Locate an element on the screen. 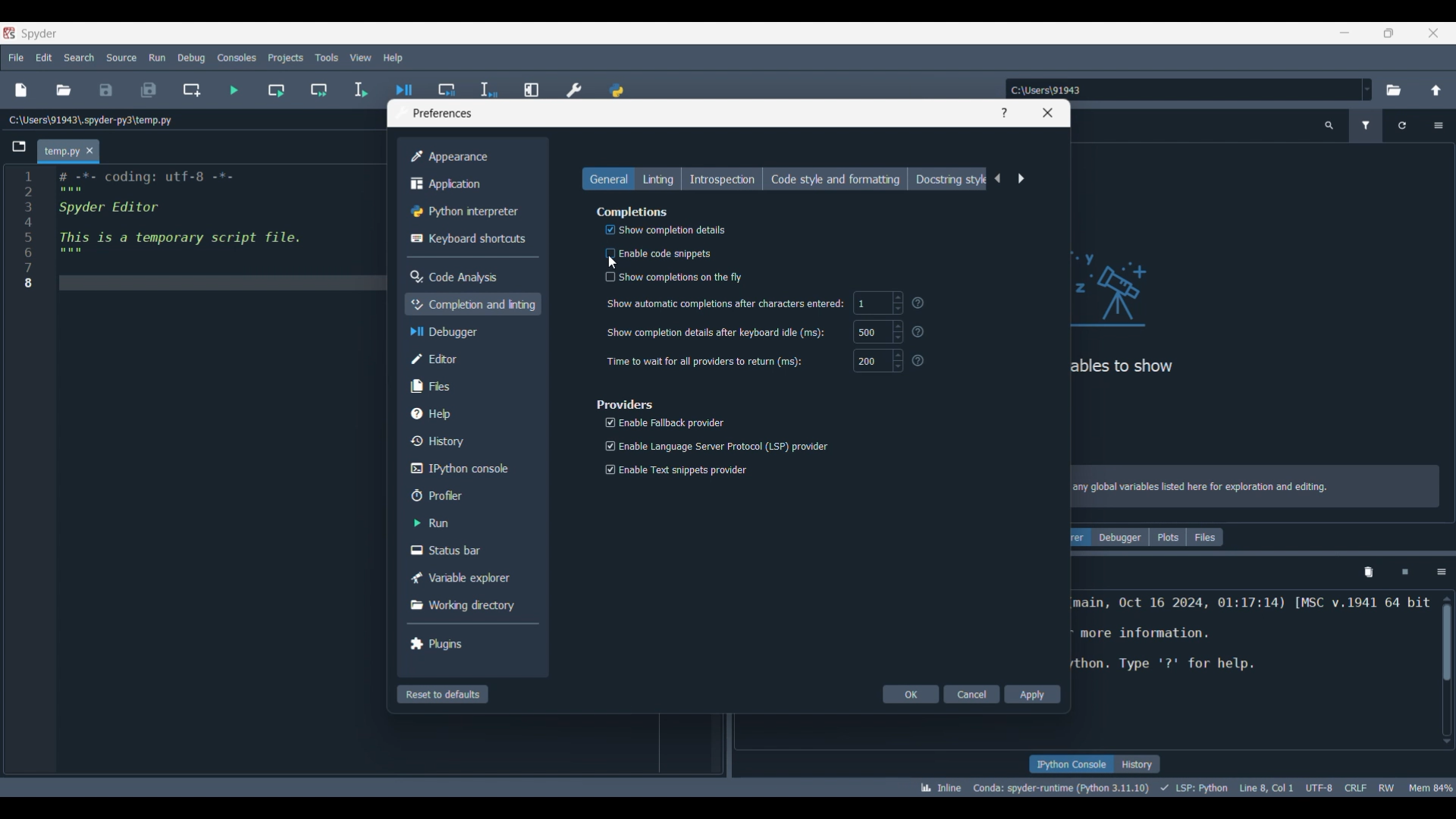  Current tab is located at coordinates (61, 152).